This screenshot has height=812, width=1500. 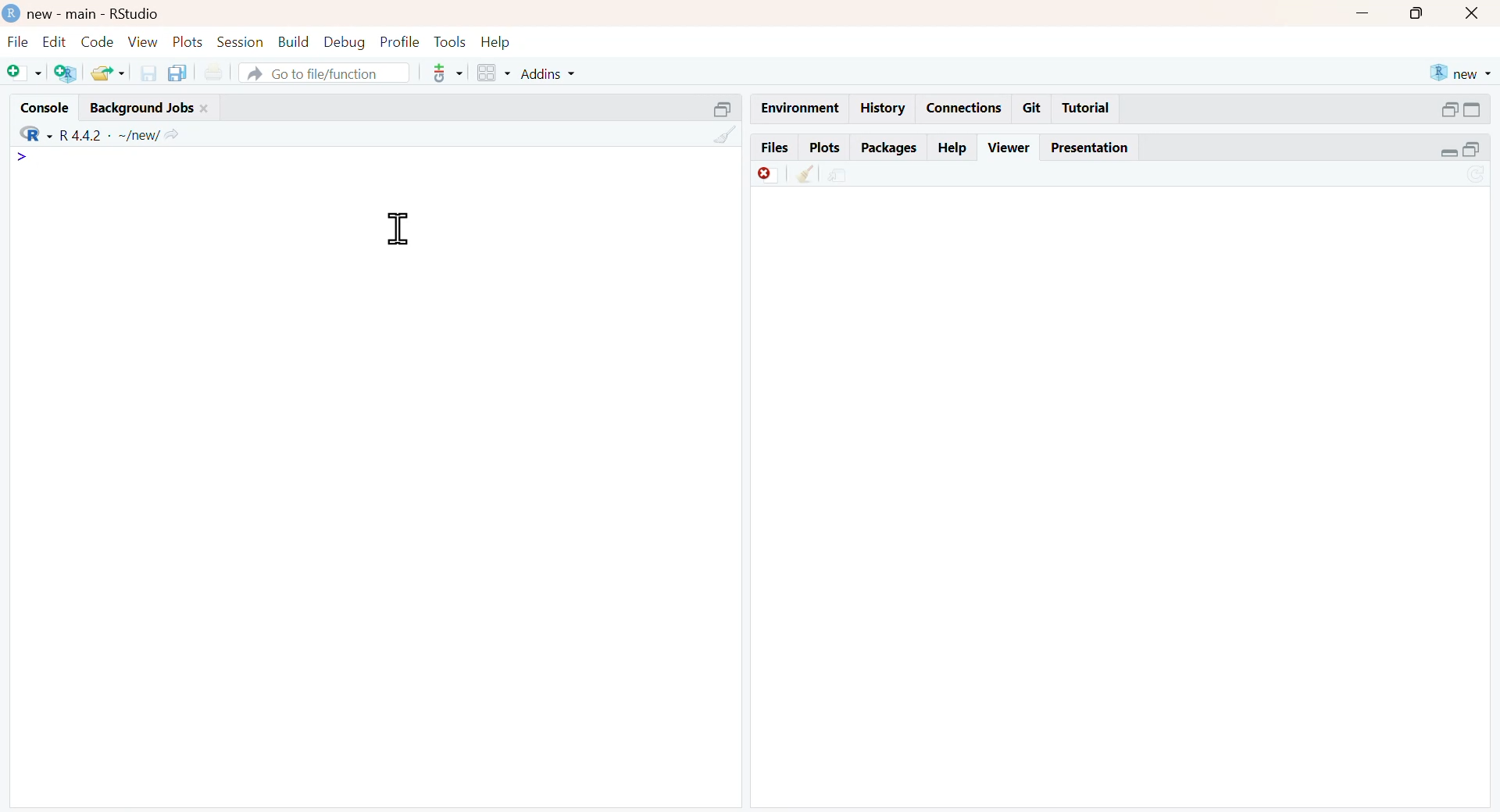 What do you see at coordinates (343, 42) in the screenshot?
I see `Debug` at bounding box center [343, 42].